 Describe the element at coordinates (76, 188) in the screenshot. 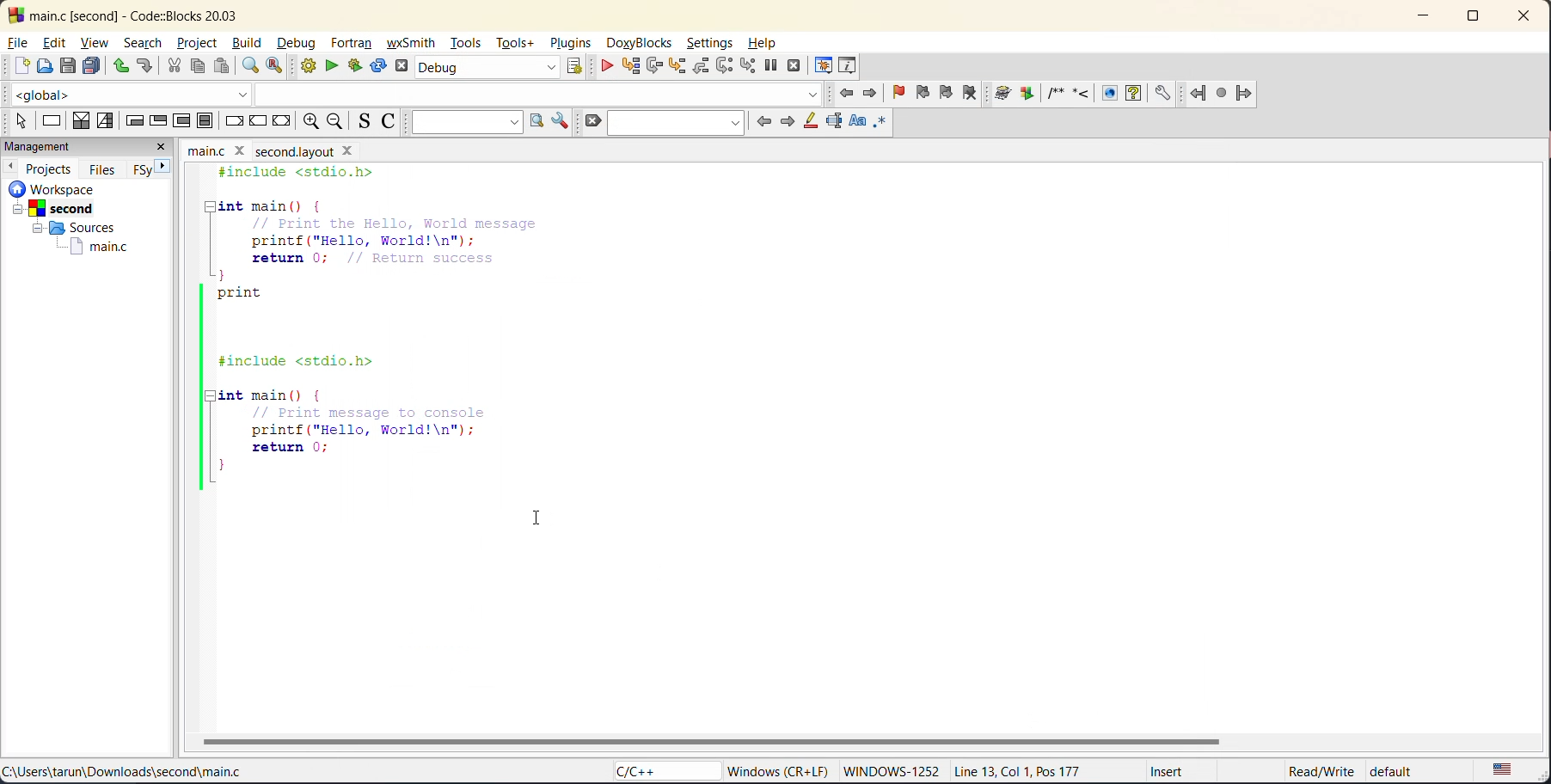

I see `workspace` at that location.